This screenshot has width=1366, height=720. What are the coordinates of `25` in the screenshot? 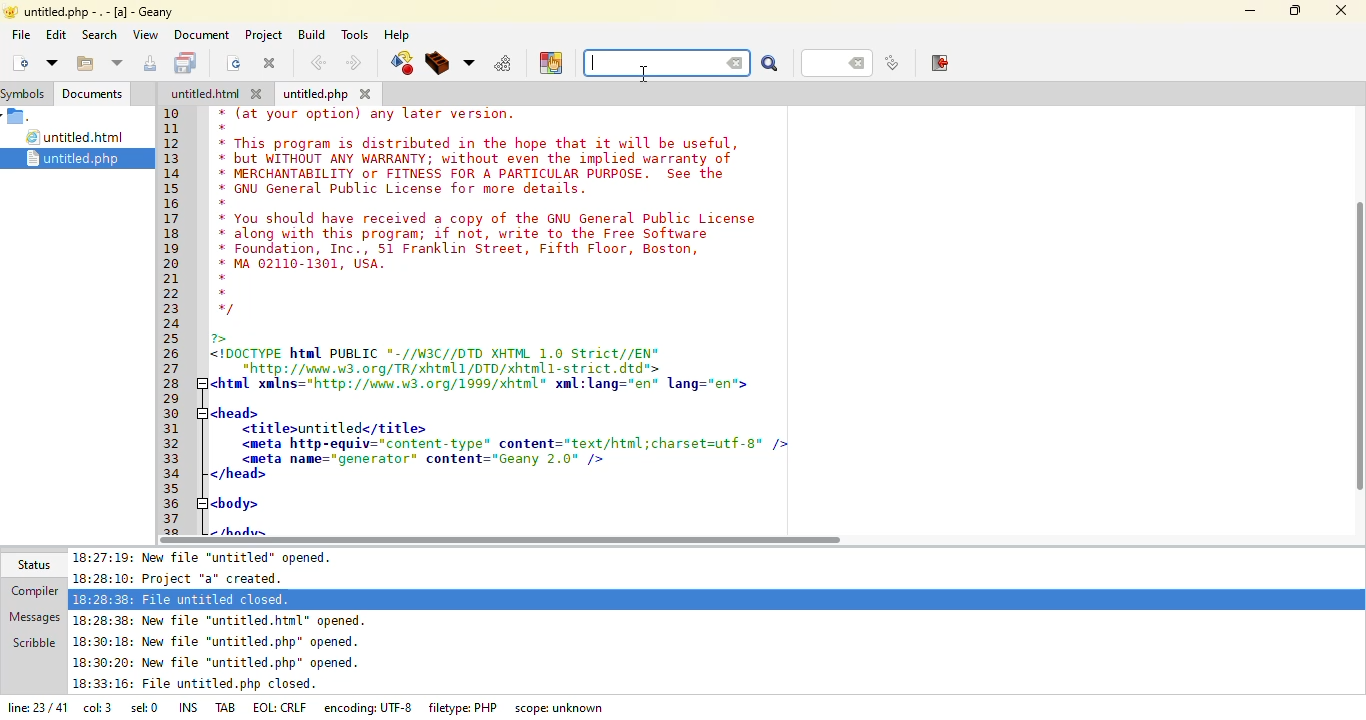 It's located at (173, 338).